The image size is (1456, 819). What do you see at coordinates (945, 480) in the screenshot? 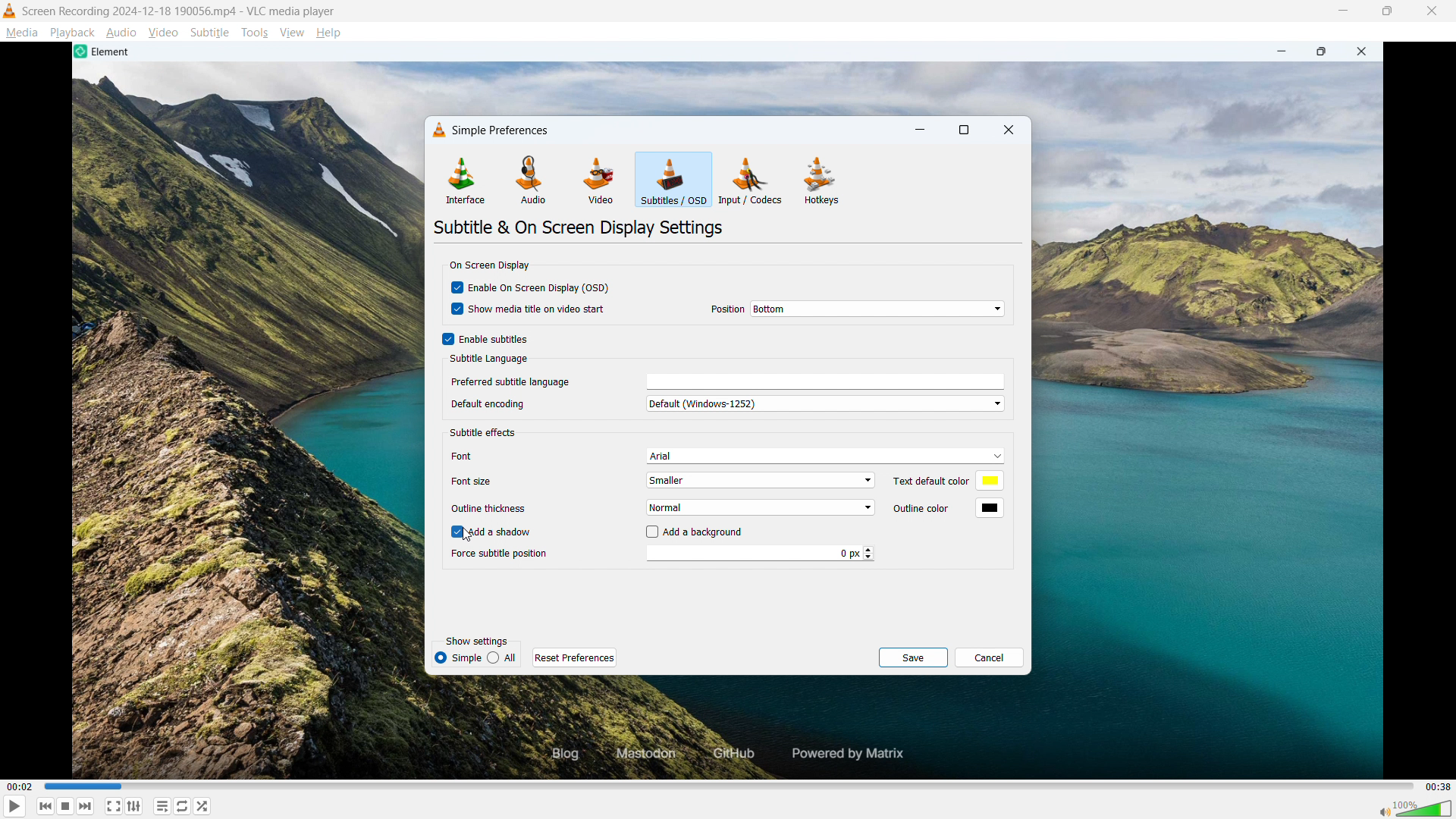
I see `Set text default colour` at bounding box center [945, 480].